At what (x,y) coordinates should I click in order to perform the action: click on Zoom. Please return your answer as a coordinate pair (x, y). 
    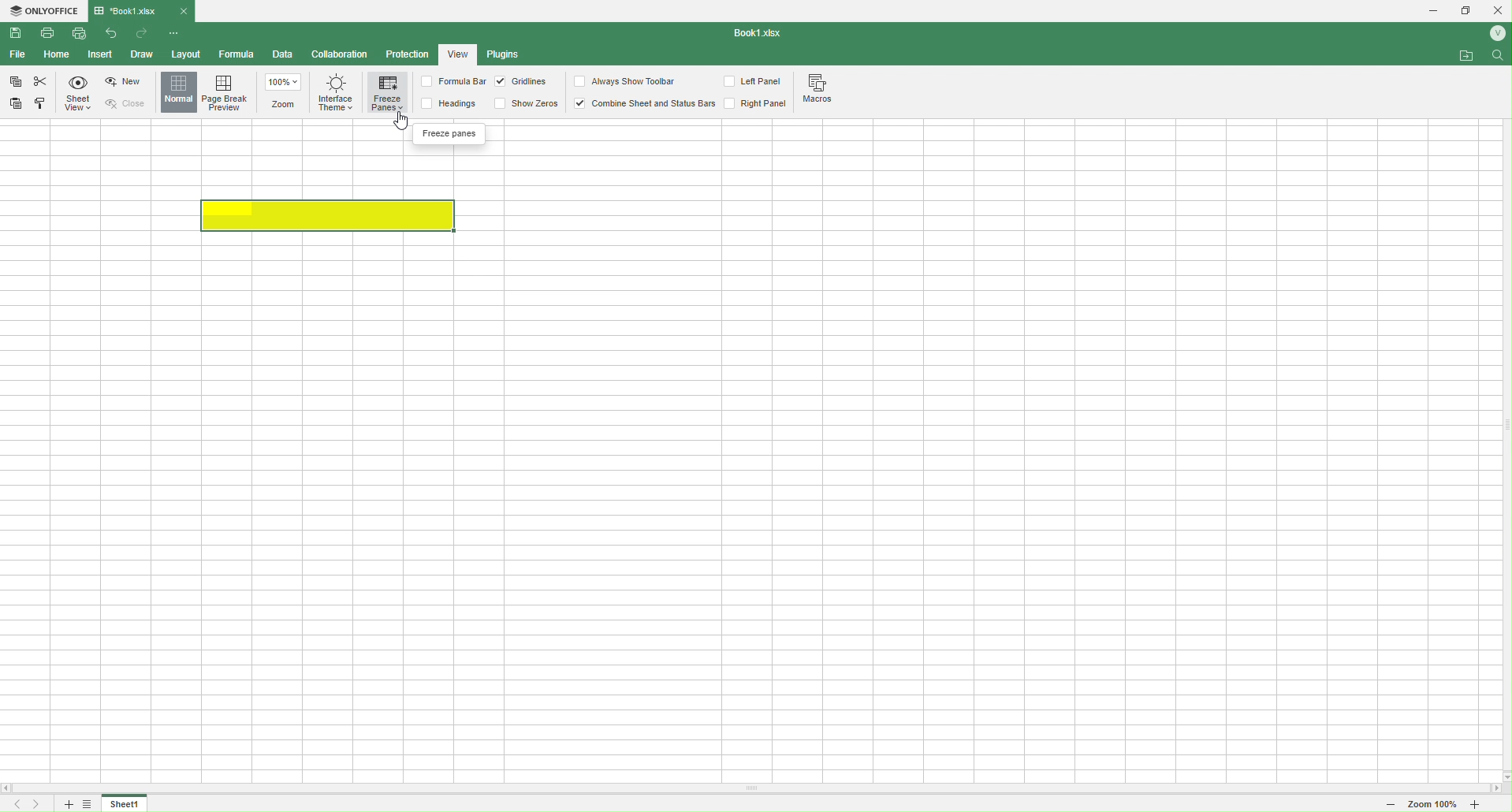
    Looking at the image, I should click on (286, 93).